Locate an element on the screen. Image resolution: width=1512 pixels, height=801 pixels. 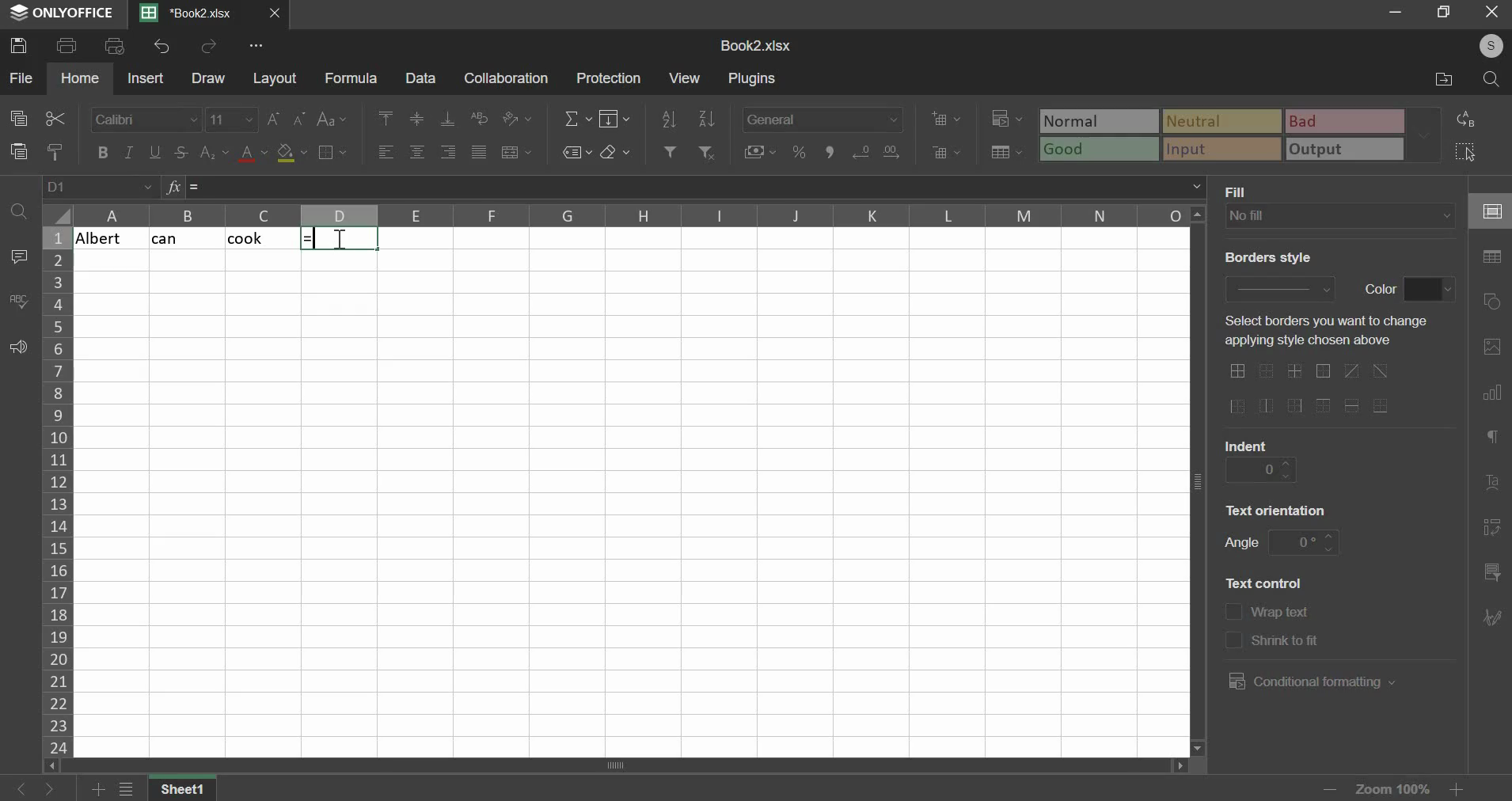
find is located at coordinates (17, 209).